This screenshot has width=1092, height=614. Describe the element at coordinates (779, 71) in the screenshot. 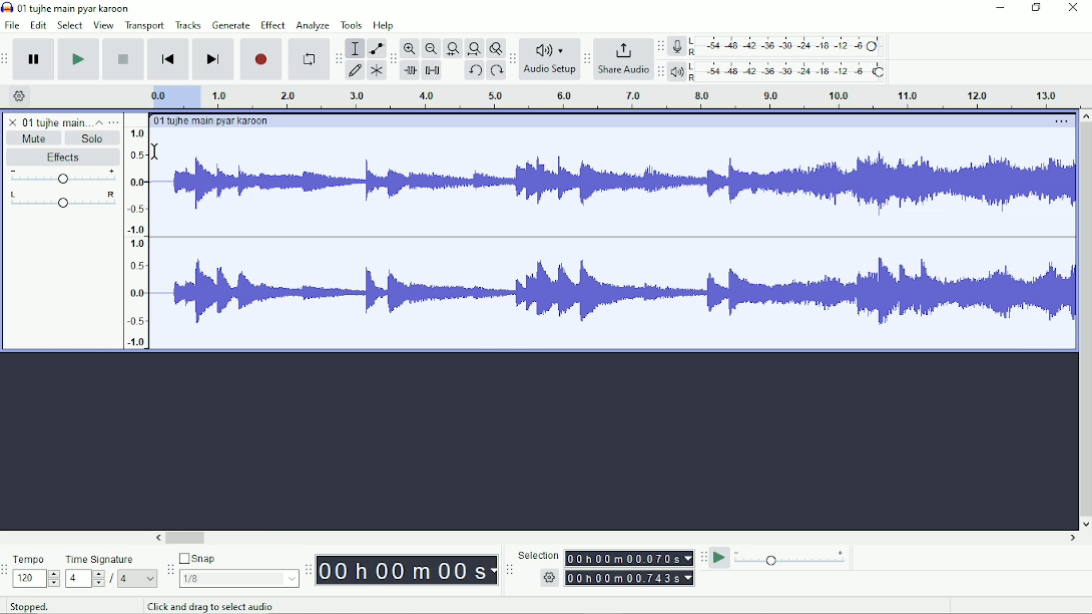

I see `Playback Meter` at that location.